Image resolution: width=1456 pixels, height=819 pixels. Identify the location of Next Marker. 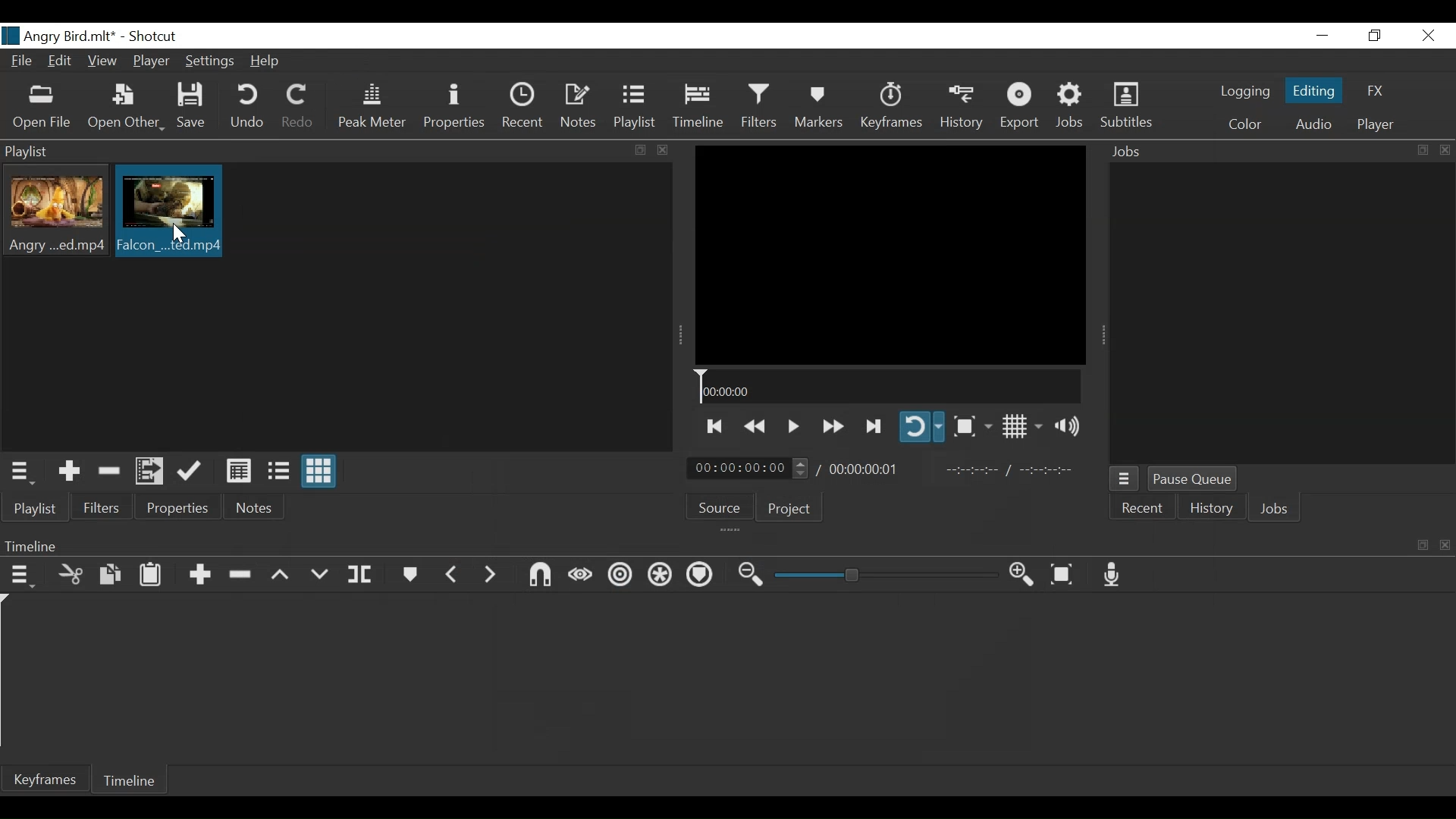
(492, 574).